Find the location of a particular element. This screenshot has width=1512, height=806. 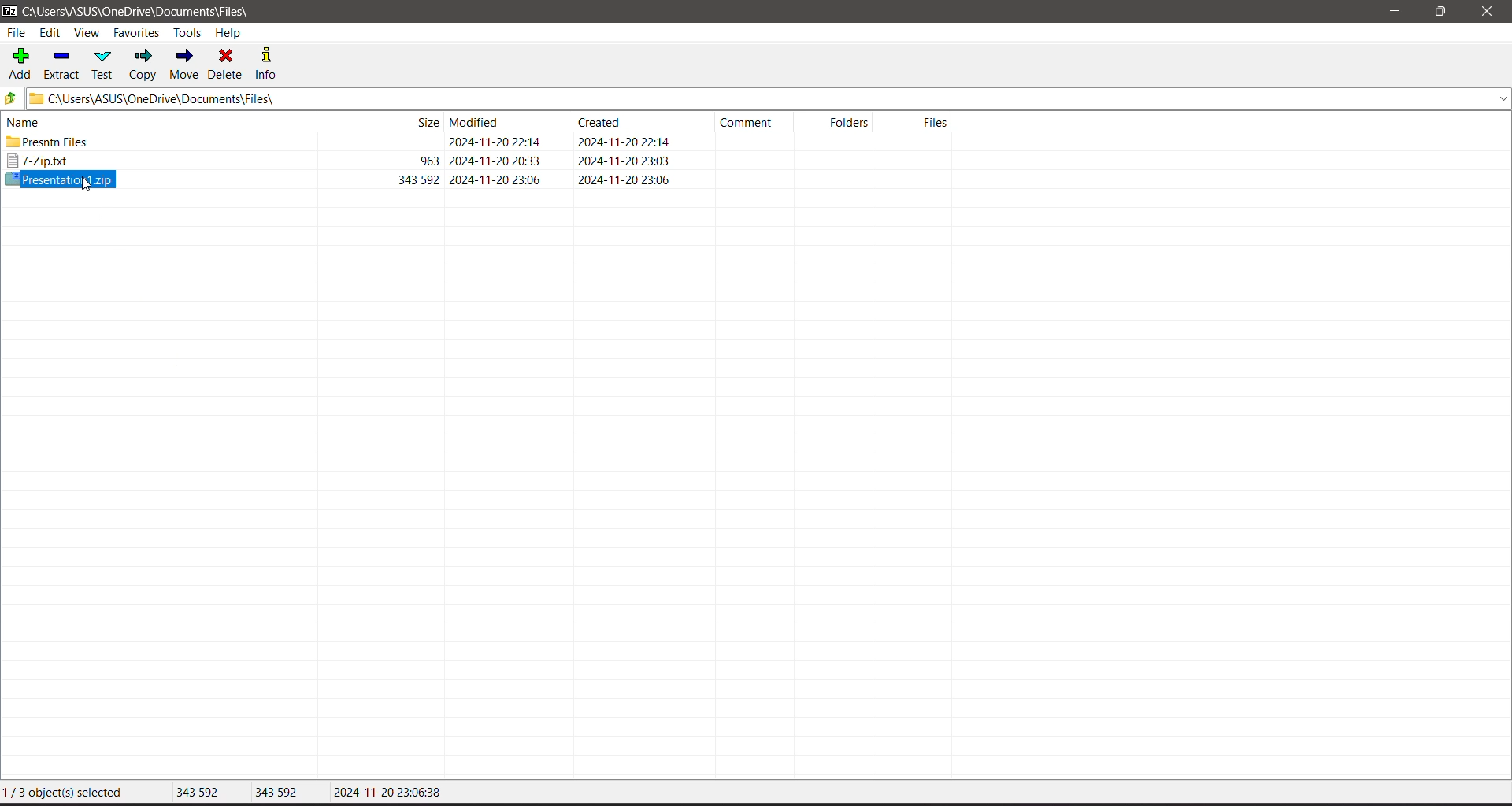

Current Folder View is located at coordinates (484, 121).